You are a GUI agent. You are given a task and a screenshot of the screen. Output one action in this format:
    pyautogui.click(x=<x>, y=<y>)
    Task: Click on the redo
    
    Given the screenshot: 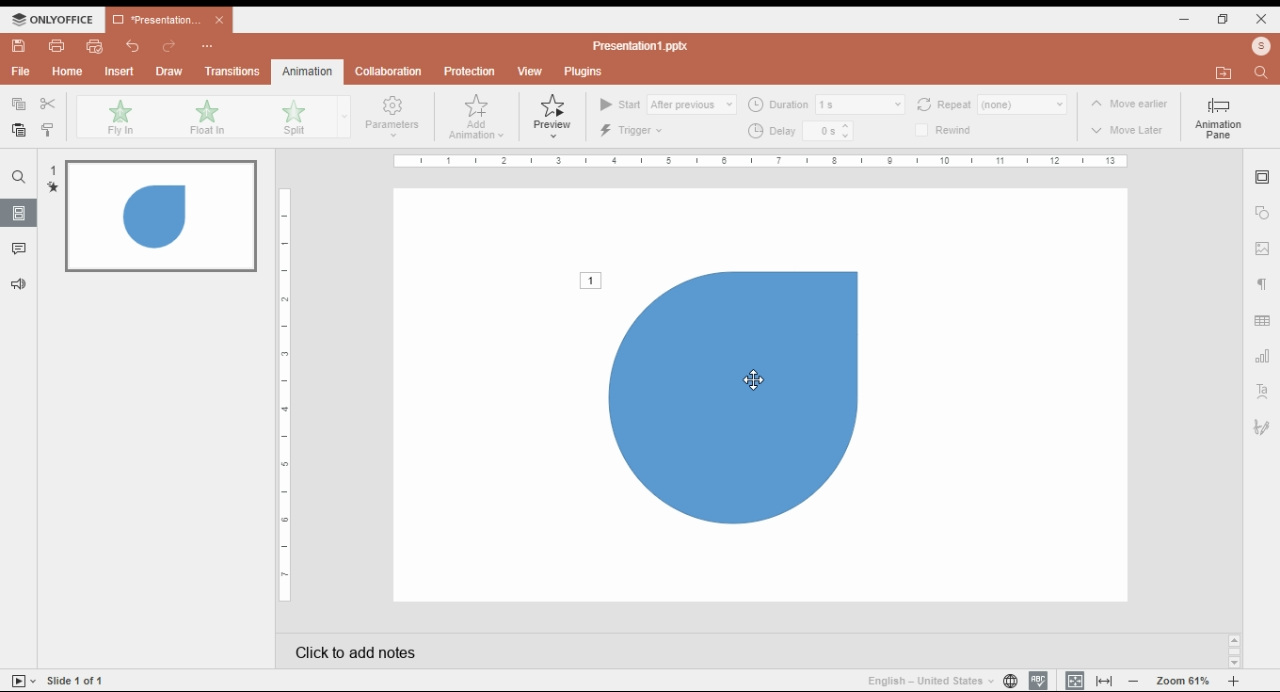 What is the action you would take?
    pyautogui.click(x=170, y=47)
    